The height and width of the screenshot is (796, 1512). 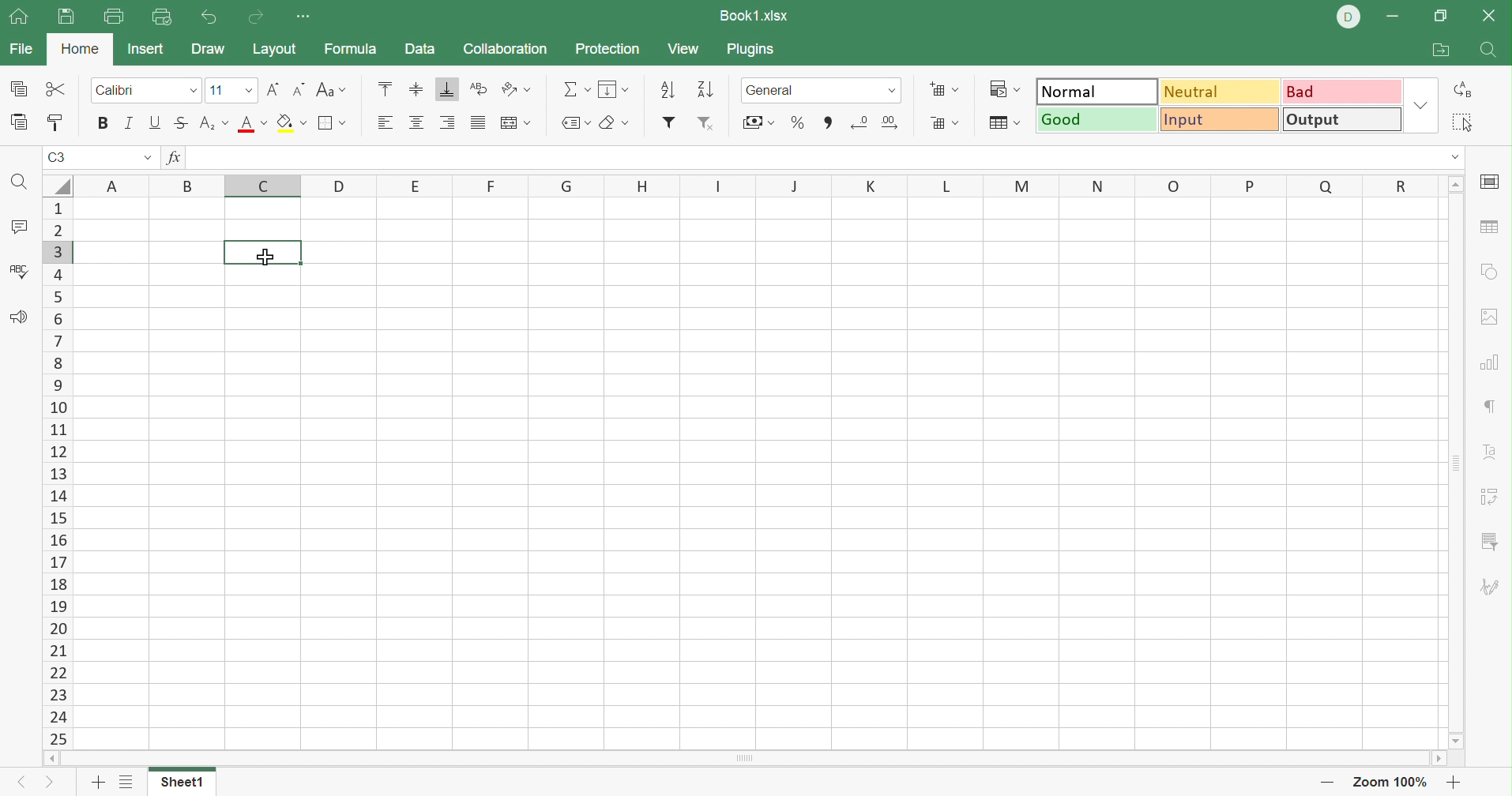 I want to click on Font color, so click(x=254, y=122).